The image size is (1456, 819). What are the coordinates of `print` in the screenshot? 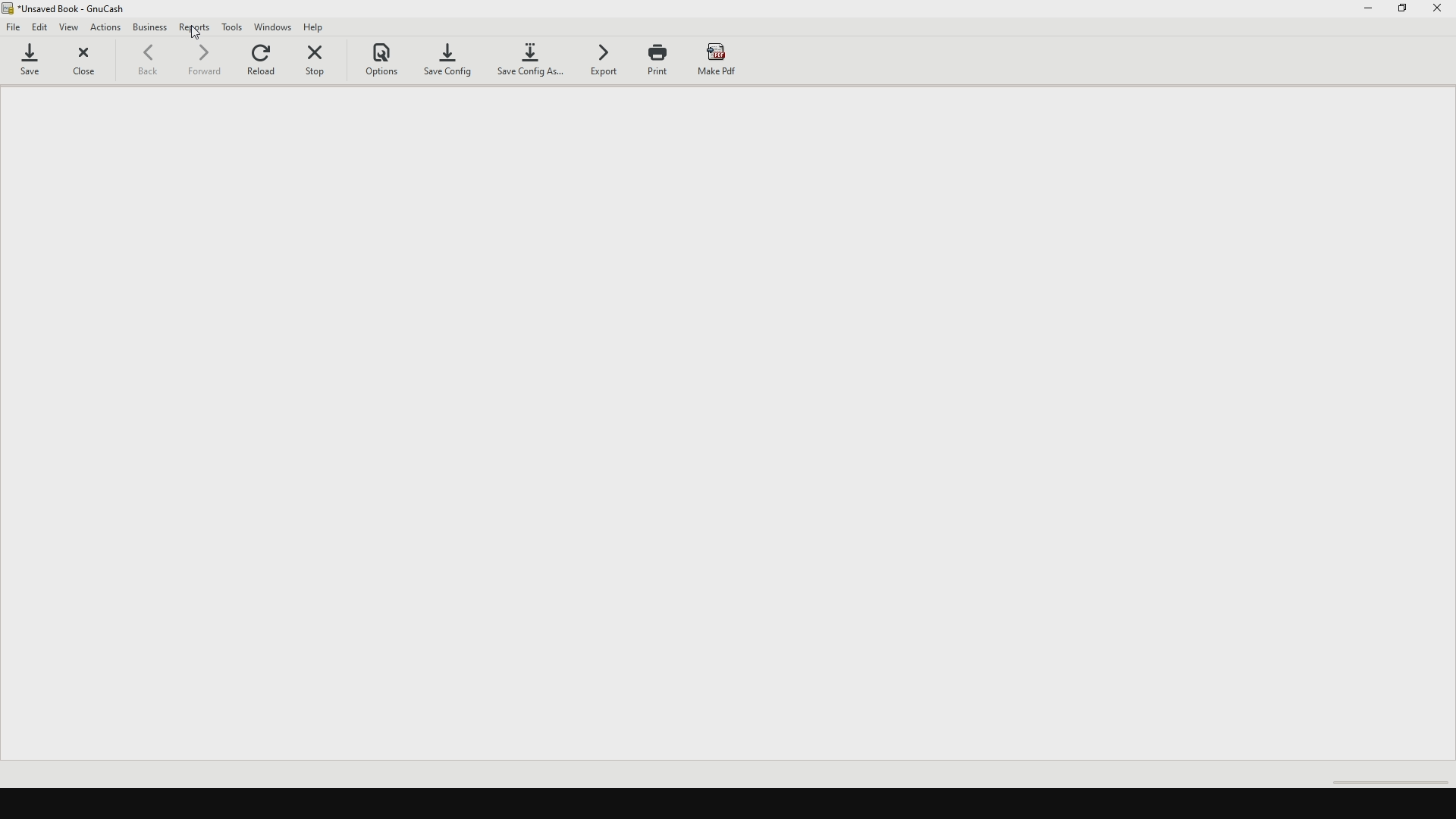 It's located at (664, 66).